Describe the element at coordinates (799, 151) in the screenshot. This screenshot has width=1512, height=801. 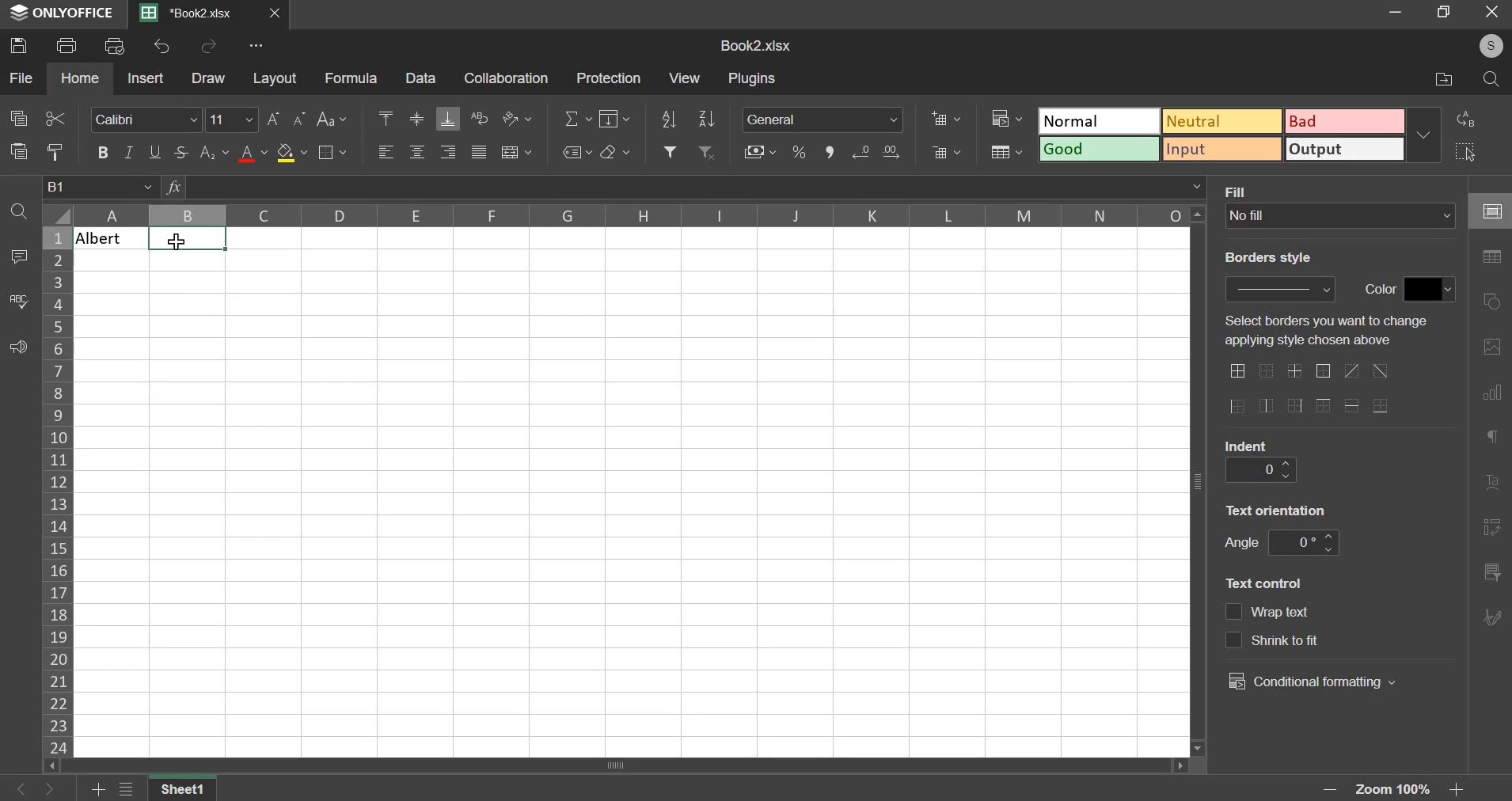
I see `percentage` at that location.